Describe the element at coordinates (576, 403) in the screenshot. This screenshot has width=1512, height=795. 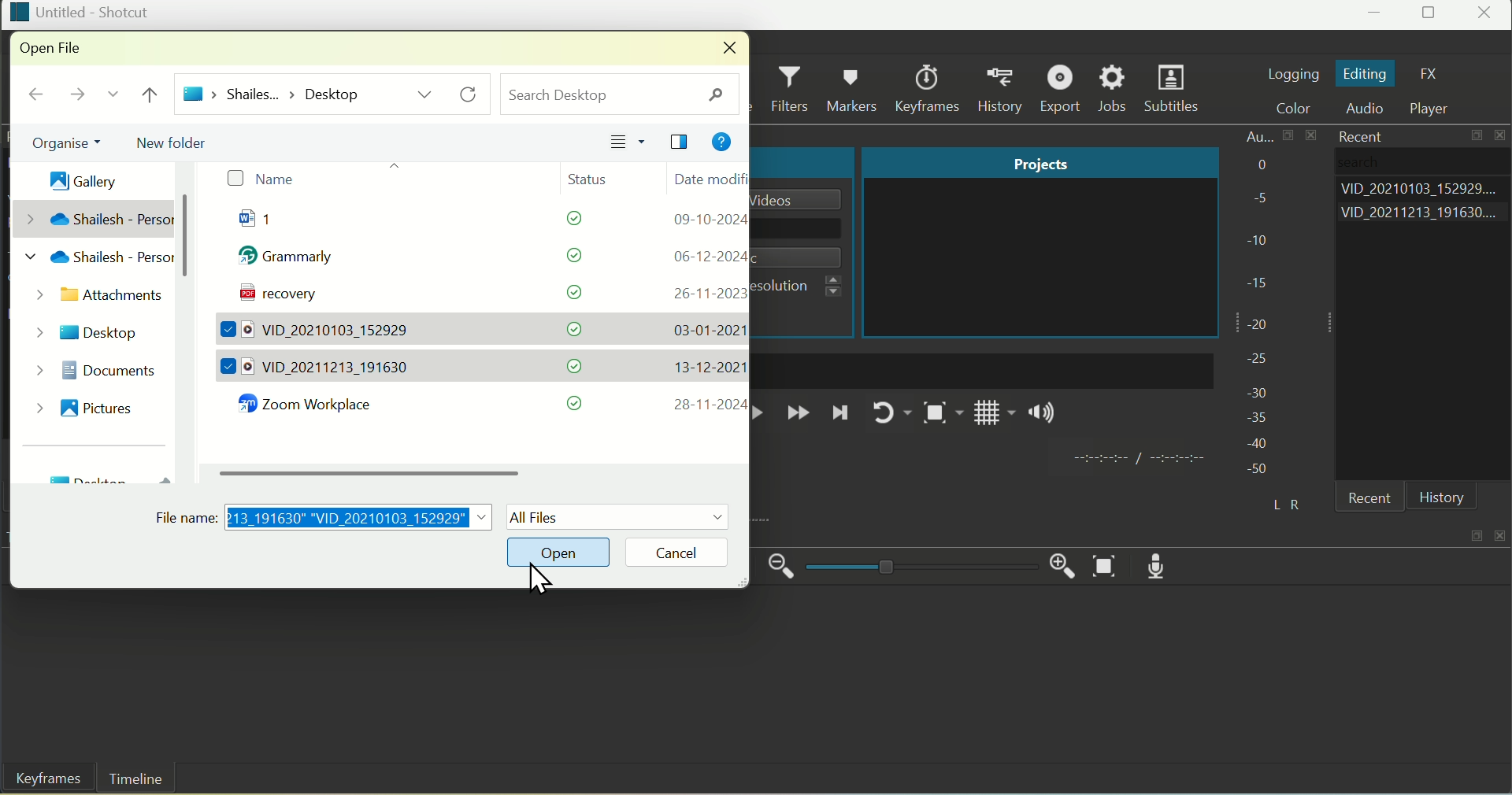
I see `status` at that location.